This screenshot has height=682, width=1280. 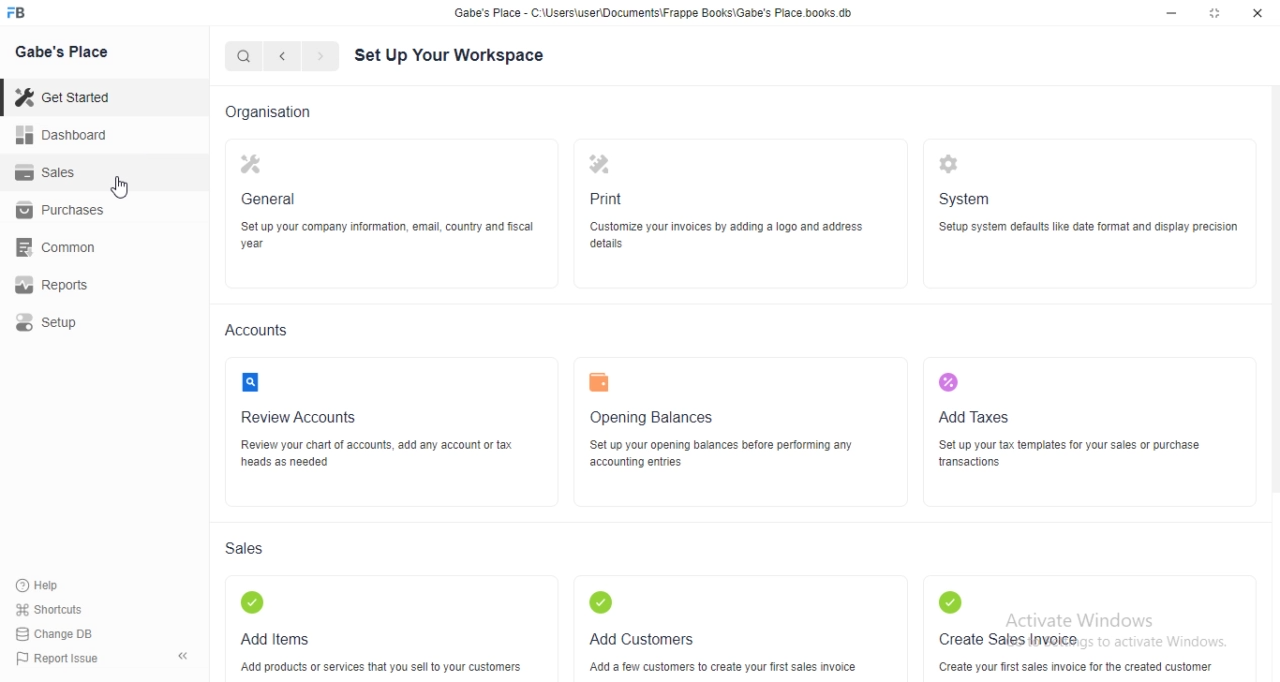 What do you see at coordinates (56, 210) in the screenshot?
I see `Purchases` at bounding box center [56, 210].